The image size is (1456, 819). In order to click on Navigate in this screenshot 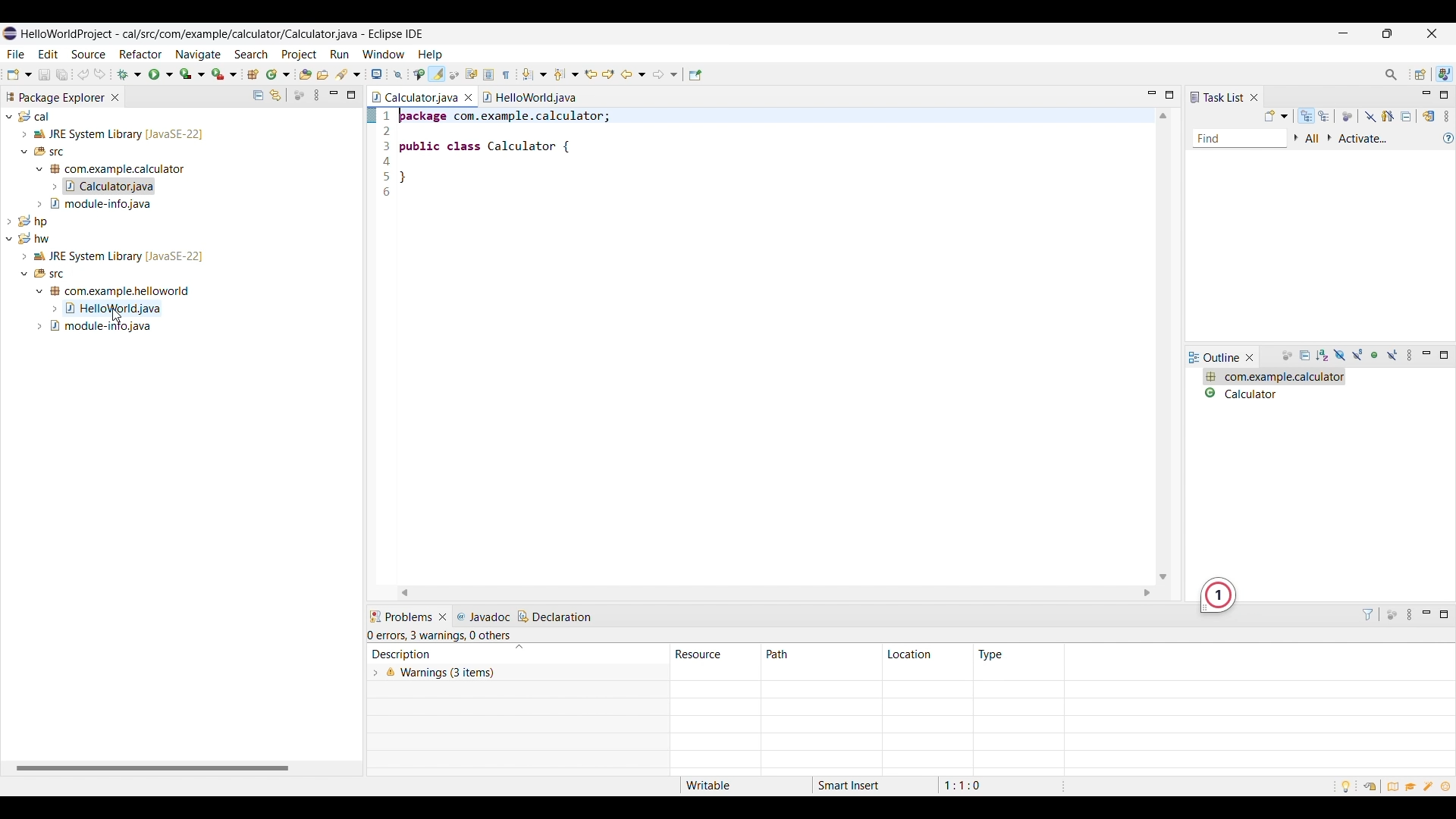, I will do `click(199, 55)`.